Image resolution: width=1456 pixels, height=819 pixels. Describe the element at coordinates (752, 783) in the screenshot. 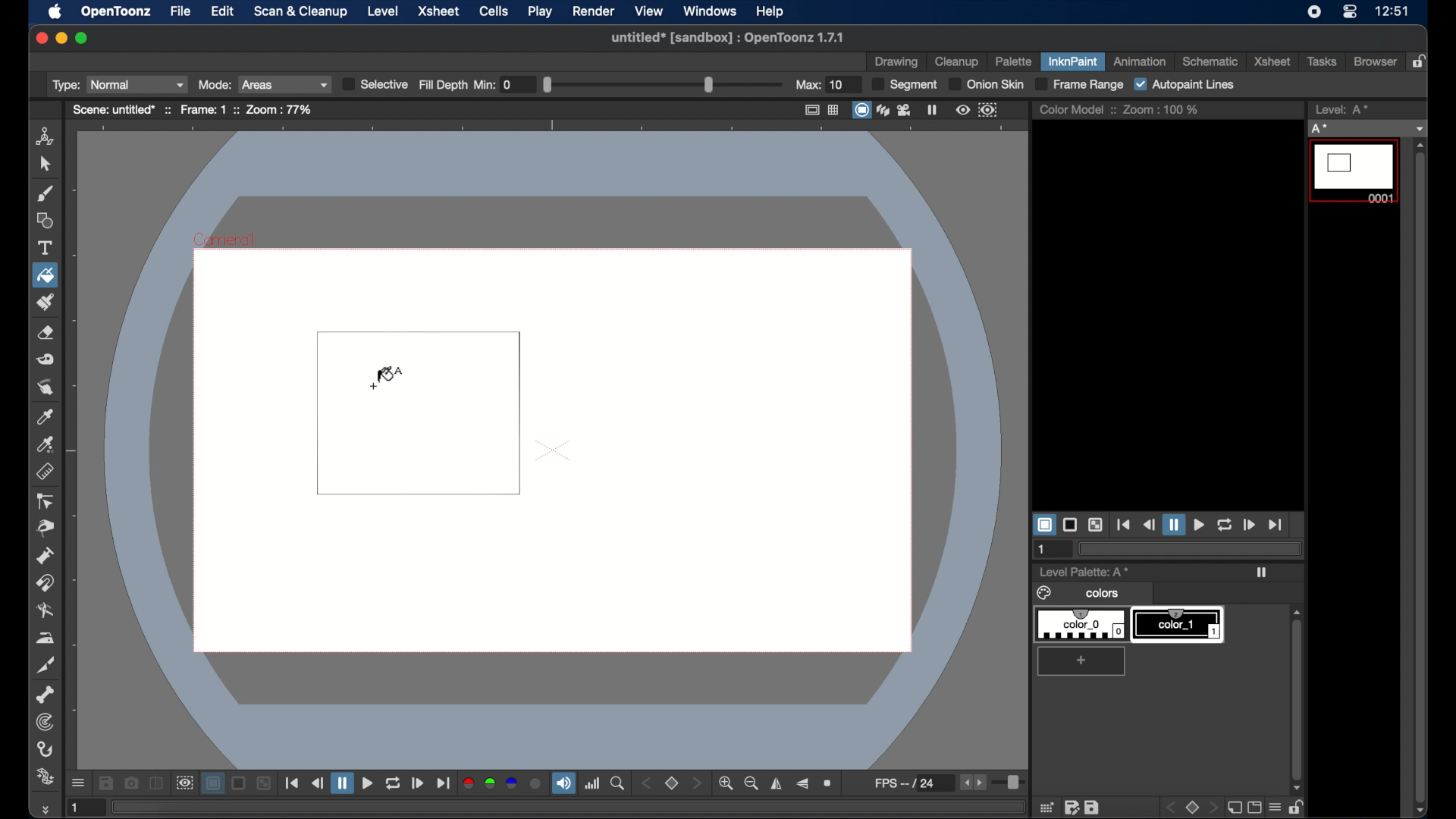

I see `zoom out` at that location.